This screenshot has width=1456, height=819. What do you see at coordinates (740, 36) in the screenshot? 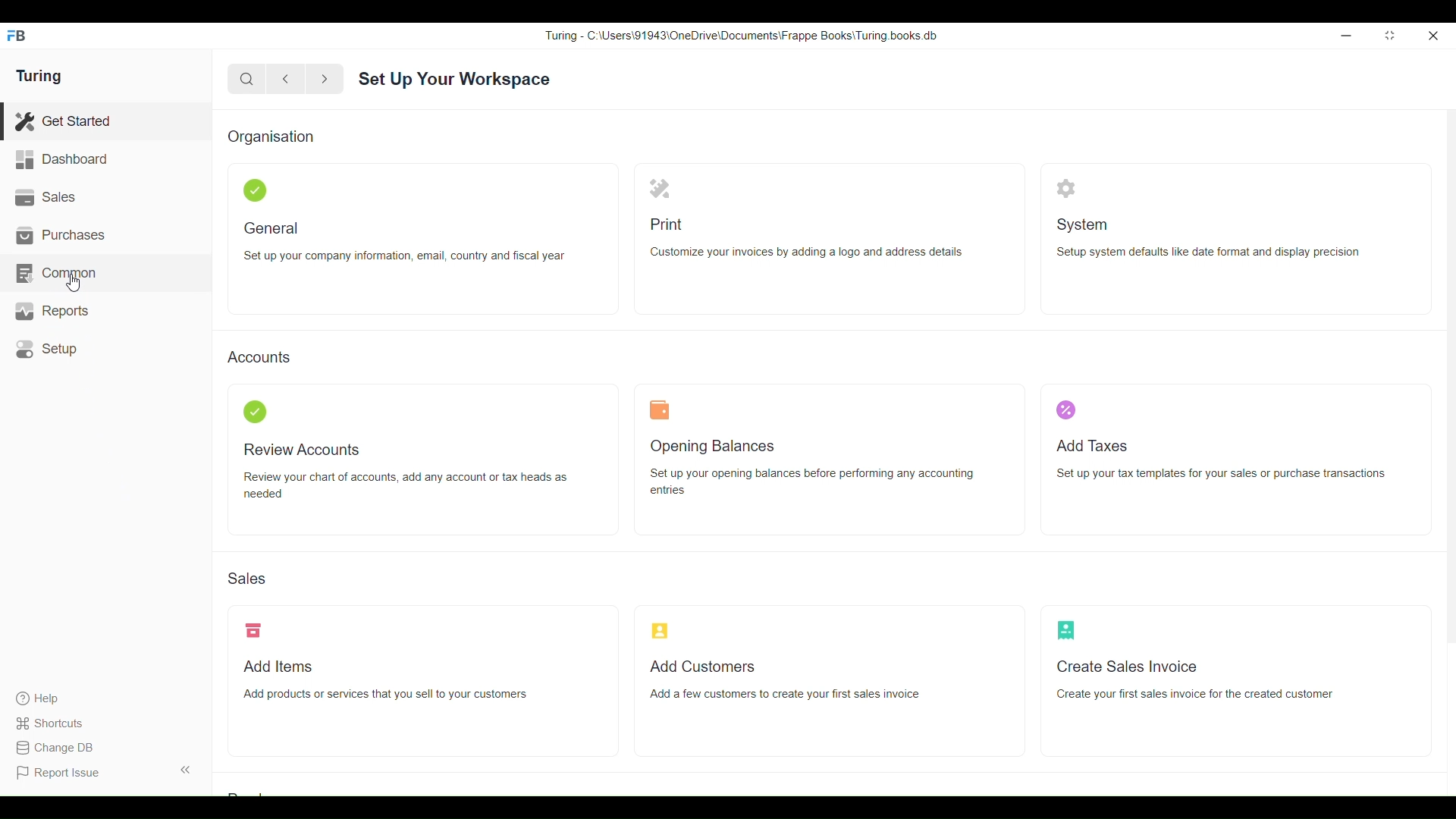
I see `Turing - C:\Users\91943\0neDrive\Documents\Frappe Books\ Turing books db` at bounding box center [740, 36].